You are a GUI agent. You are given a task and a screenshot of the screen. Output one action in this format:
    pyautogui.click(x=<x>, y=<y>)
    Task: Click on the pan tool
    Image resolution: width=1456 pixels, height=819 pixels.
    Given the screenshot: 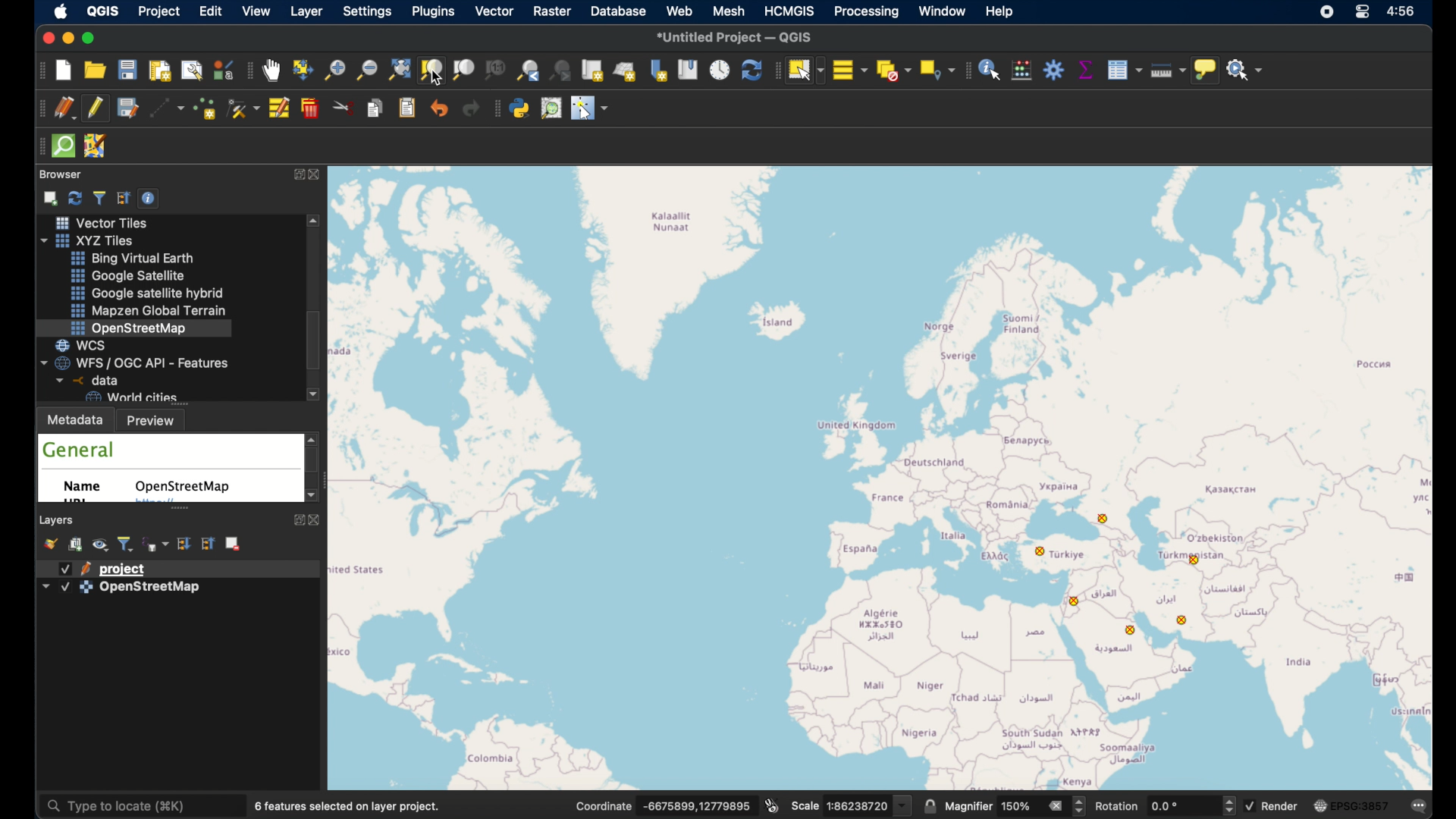 What is the action you would take?
    pyautogui.click(x=271, y=71)
    